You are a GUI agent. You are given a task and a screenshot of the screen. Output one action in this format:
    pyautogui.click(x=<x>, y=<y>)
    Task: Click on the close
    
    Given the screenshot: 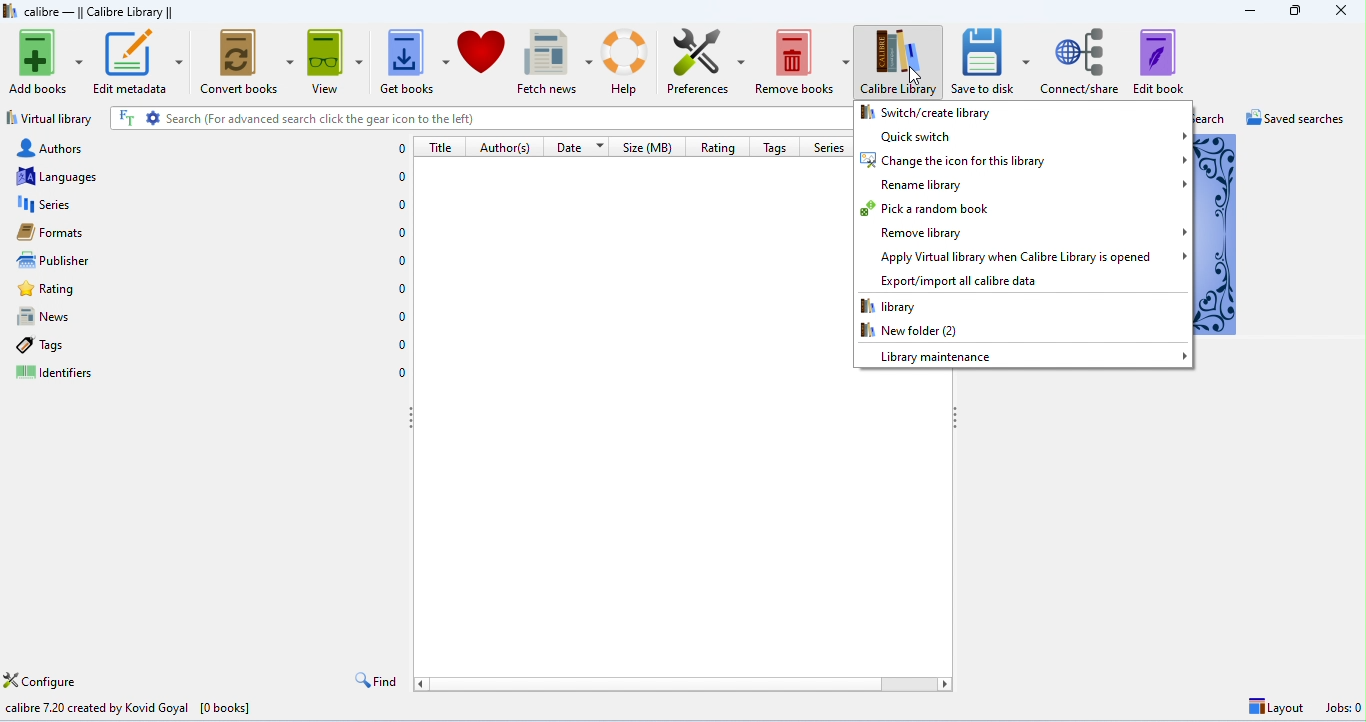 What is the action you would take?
    pyautogui.click(x=1341, y=13)
    